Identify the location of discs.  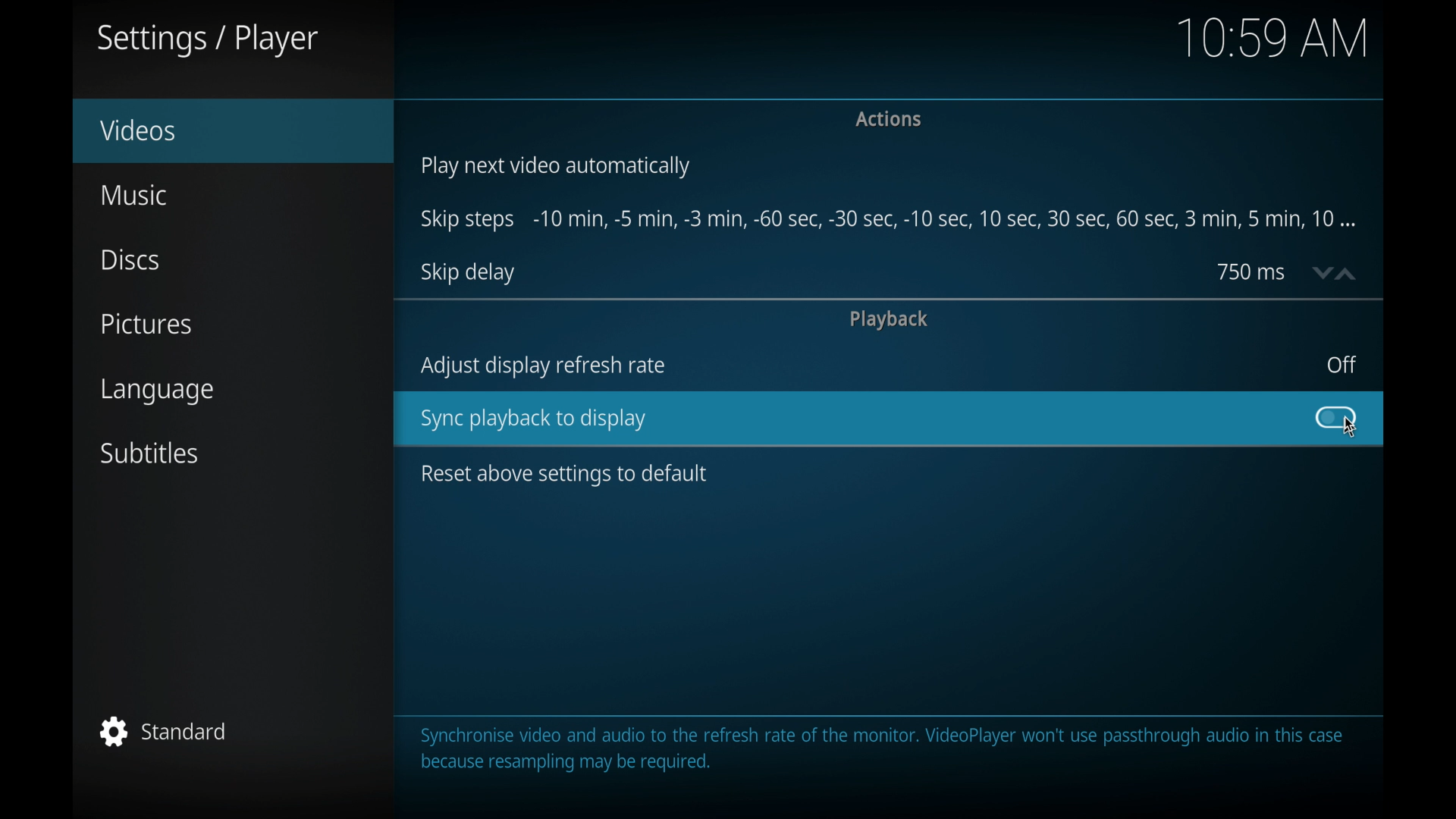
(133, 260).